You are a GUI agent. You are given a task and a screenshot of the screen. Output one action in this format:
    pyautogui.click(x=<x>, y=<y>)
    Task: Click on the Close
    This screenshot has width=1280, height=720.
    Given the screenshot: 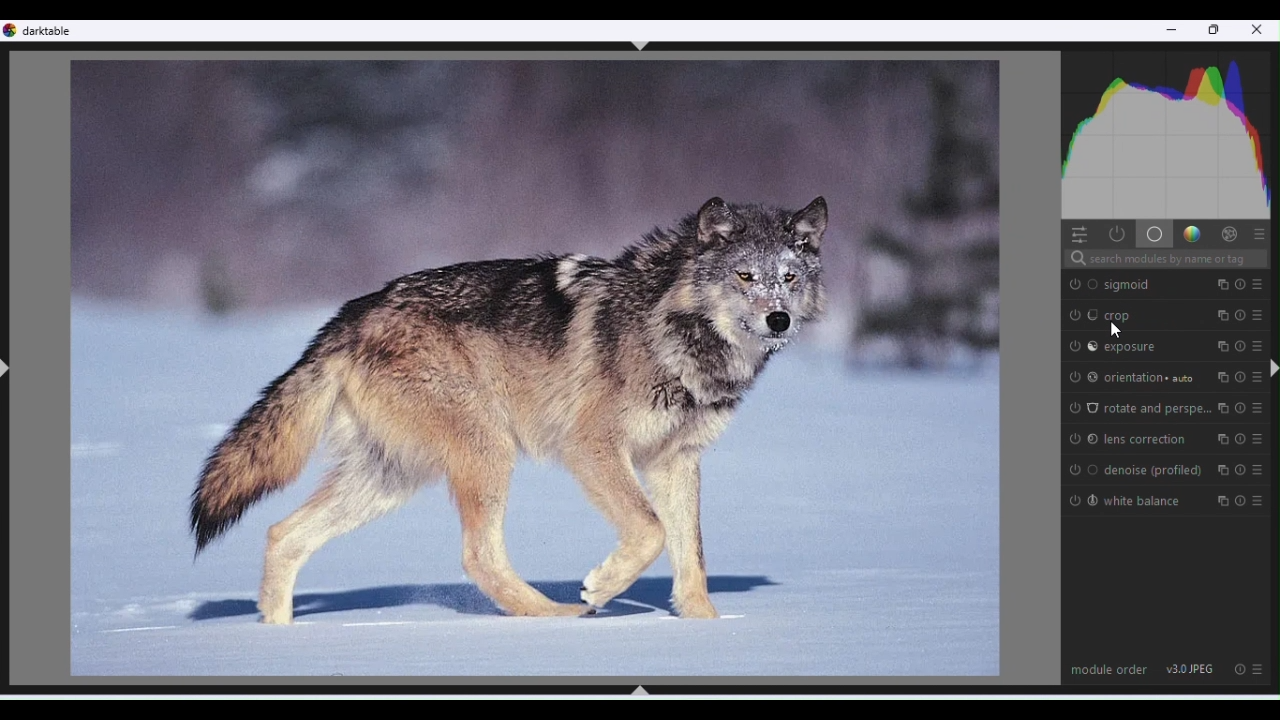 What is the action you would take?
    pyautogui.click(x=1258, y=32)
    